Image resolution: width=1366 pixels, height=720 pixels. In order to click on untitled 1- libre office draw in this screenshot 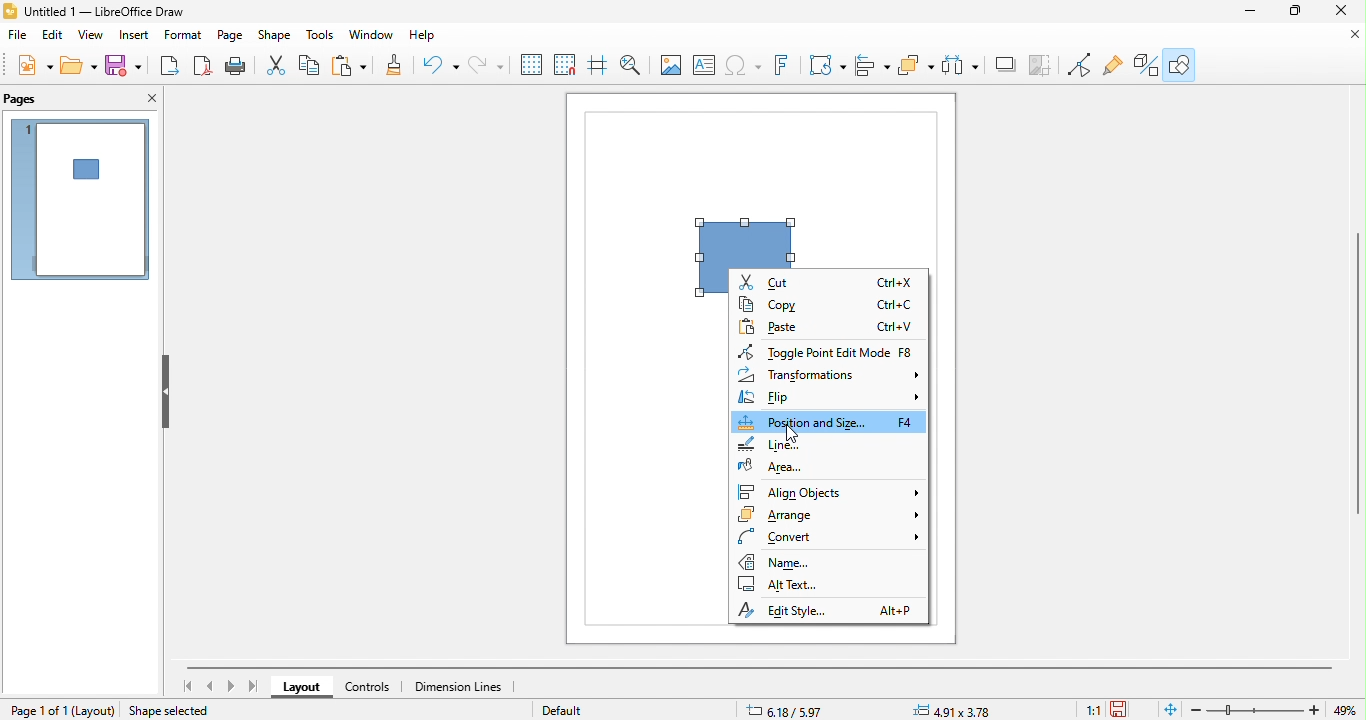, I will do `click(114, 12)`.